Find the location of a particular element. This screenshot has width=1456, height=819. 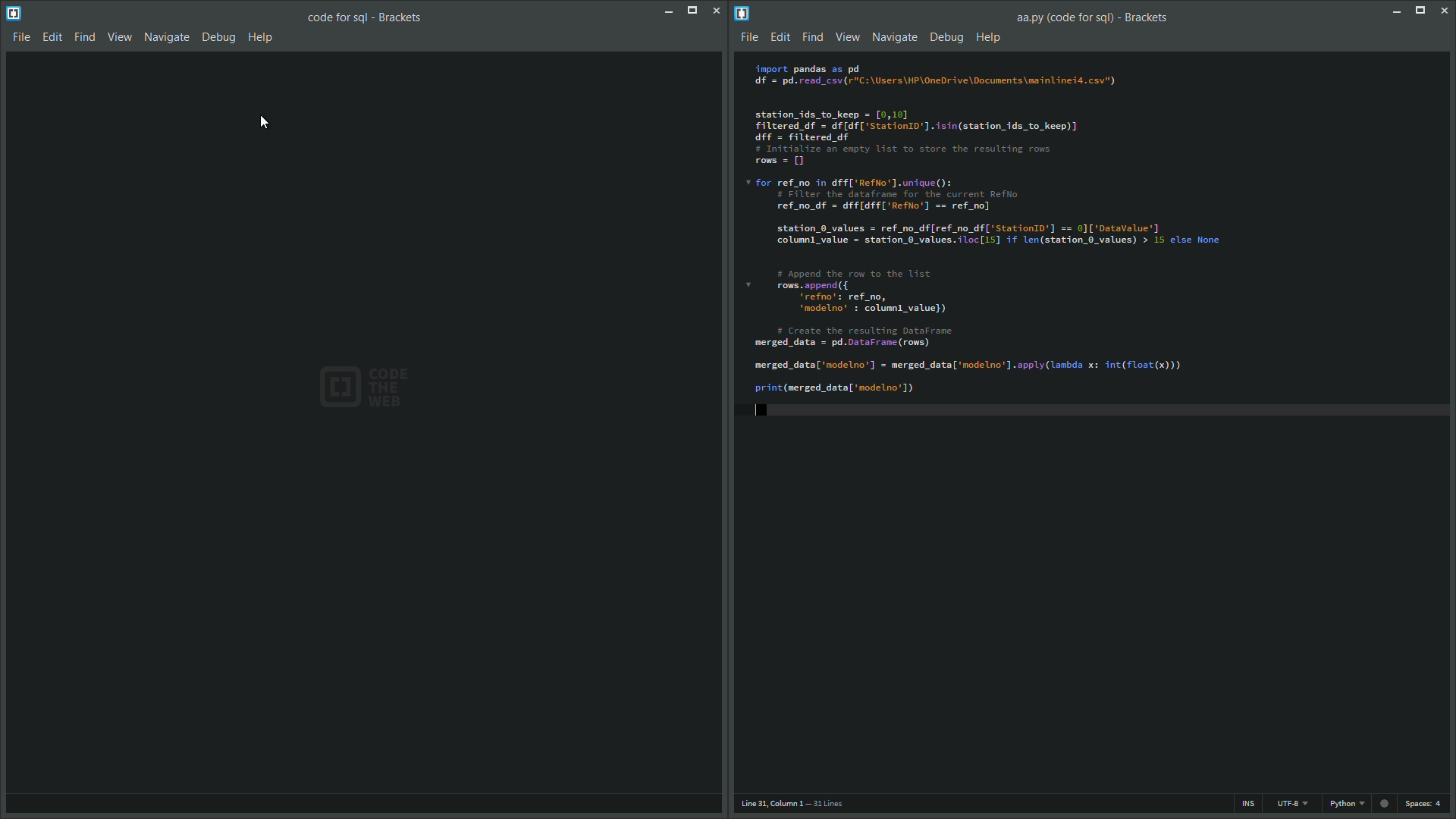

minimise is located at coordinates (669, 14).